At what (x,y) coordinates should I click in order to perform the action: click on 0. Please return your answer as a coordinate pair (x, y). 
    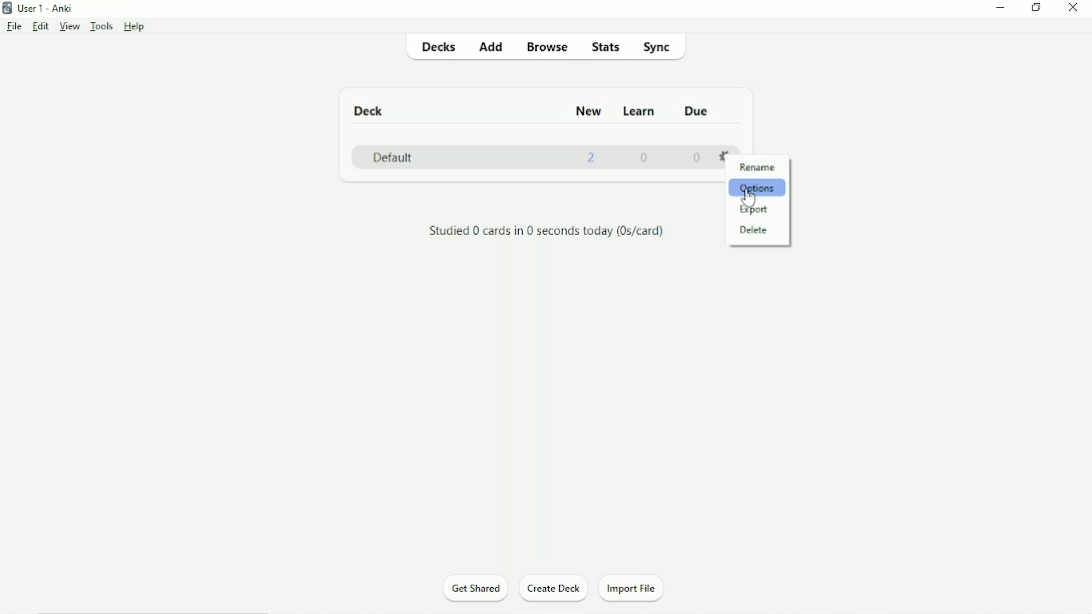
    Looking at the image, I should click on (647, 160).